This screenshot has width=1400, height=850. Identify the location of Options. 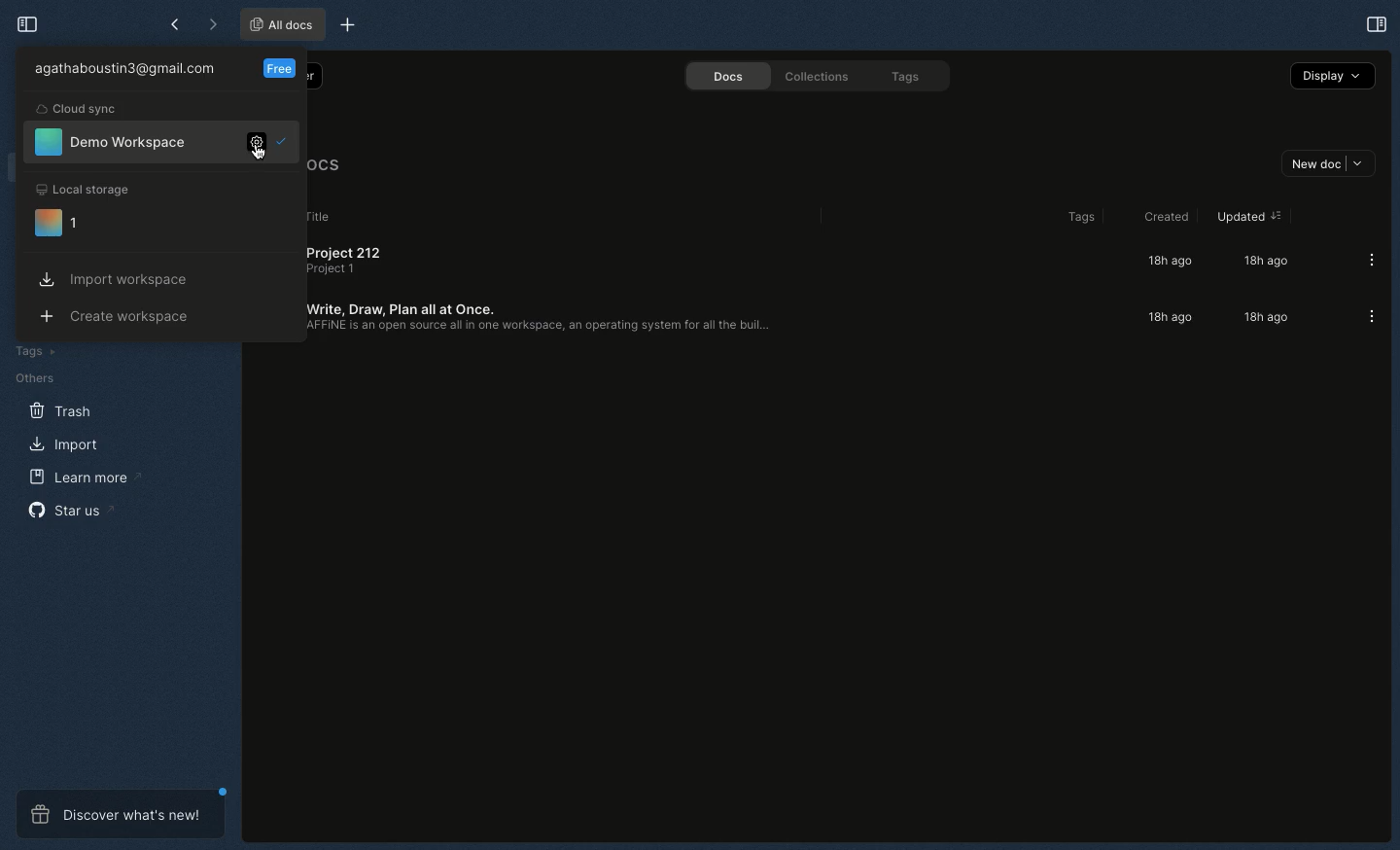
(1364, 260).